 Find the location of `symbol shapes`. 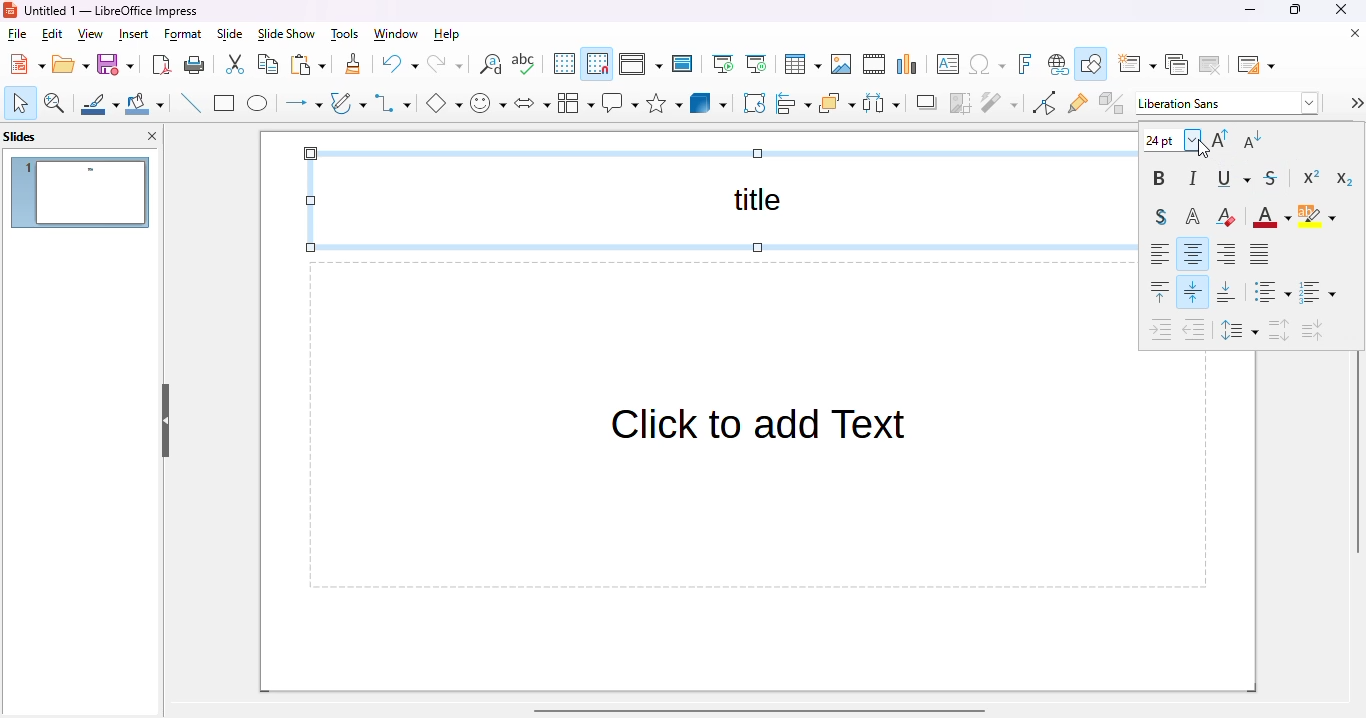

symbol shapes is located at coordinates (488, 103).